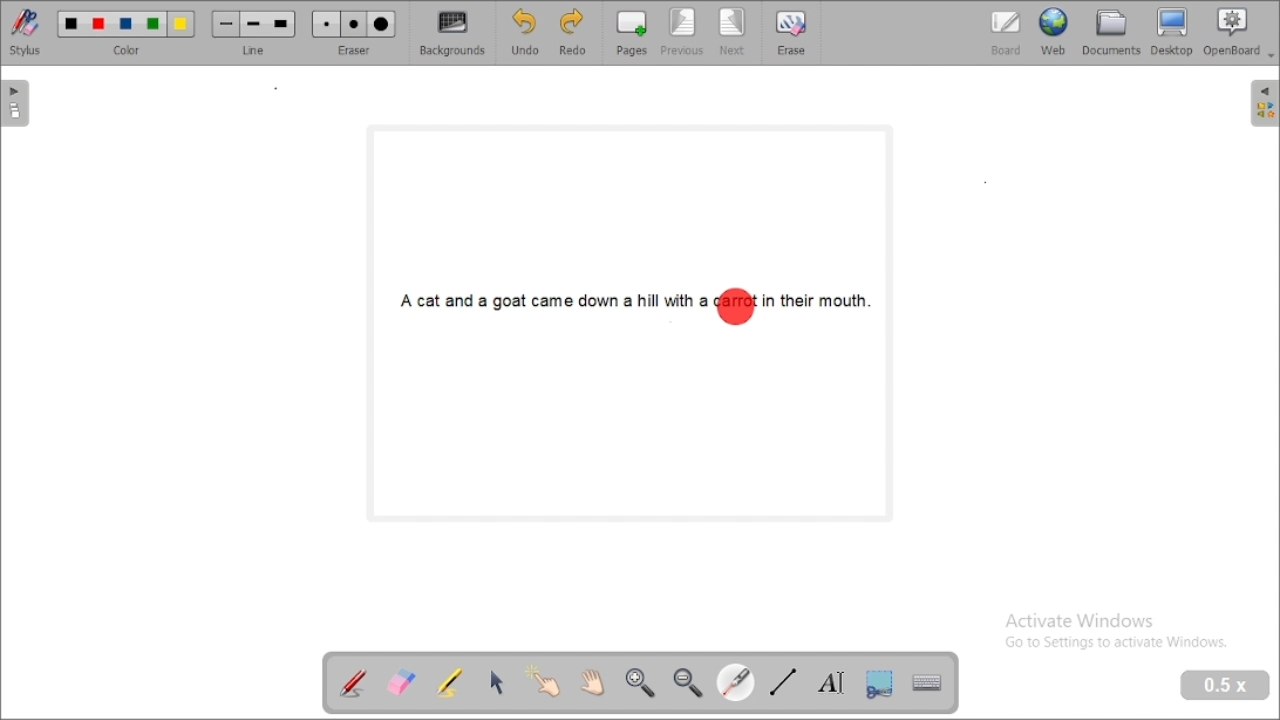  I want to click on document, so click(1112, 32).